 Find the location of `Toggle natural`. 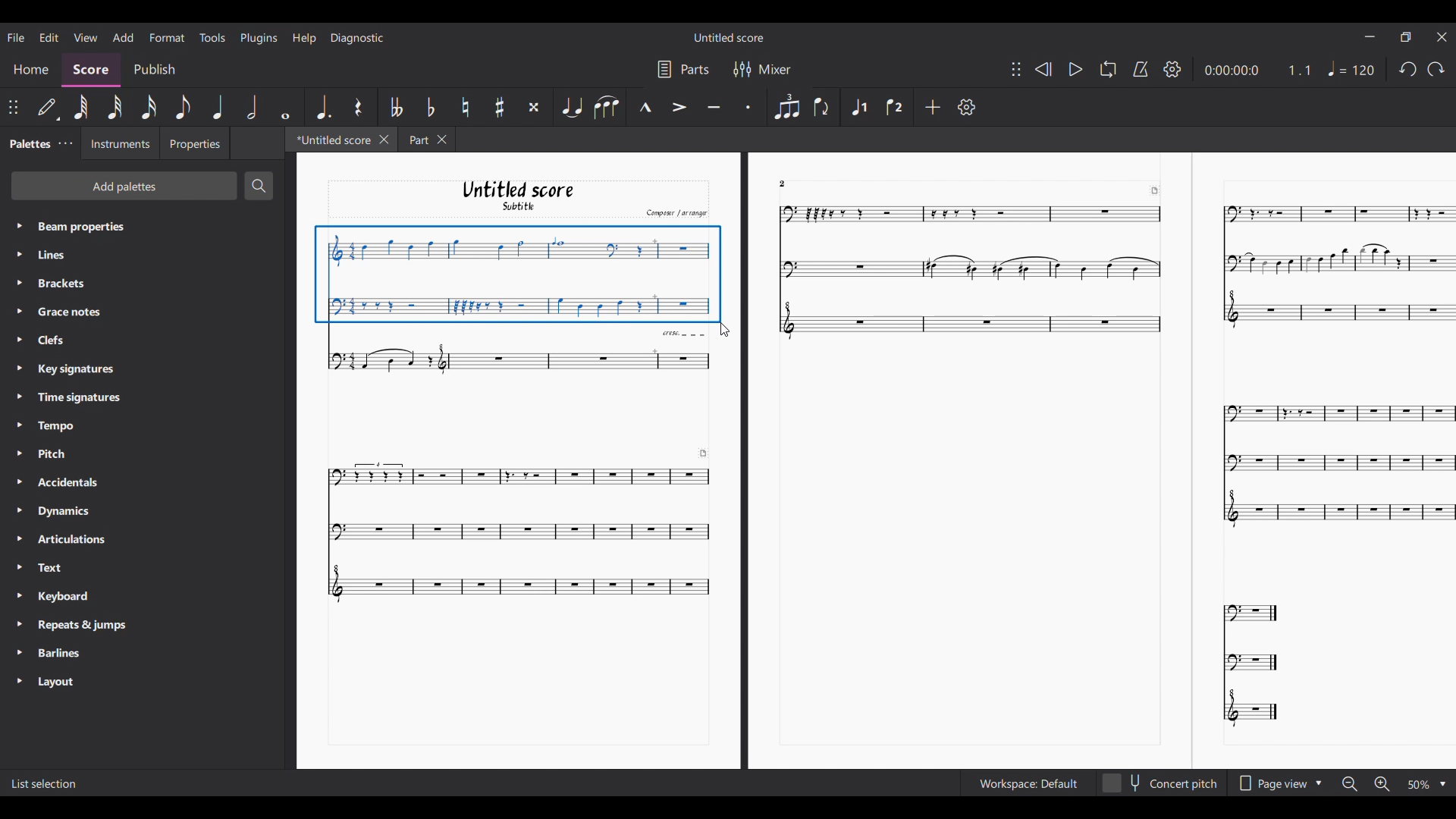

Toggle natural is located at coordinates (465, 107).